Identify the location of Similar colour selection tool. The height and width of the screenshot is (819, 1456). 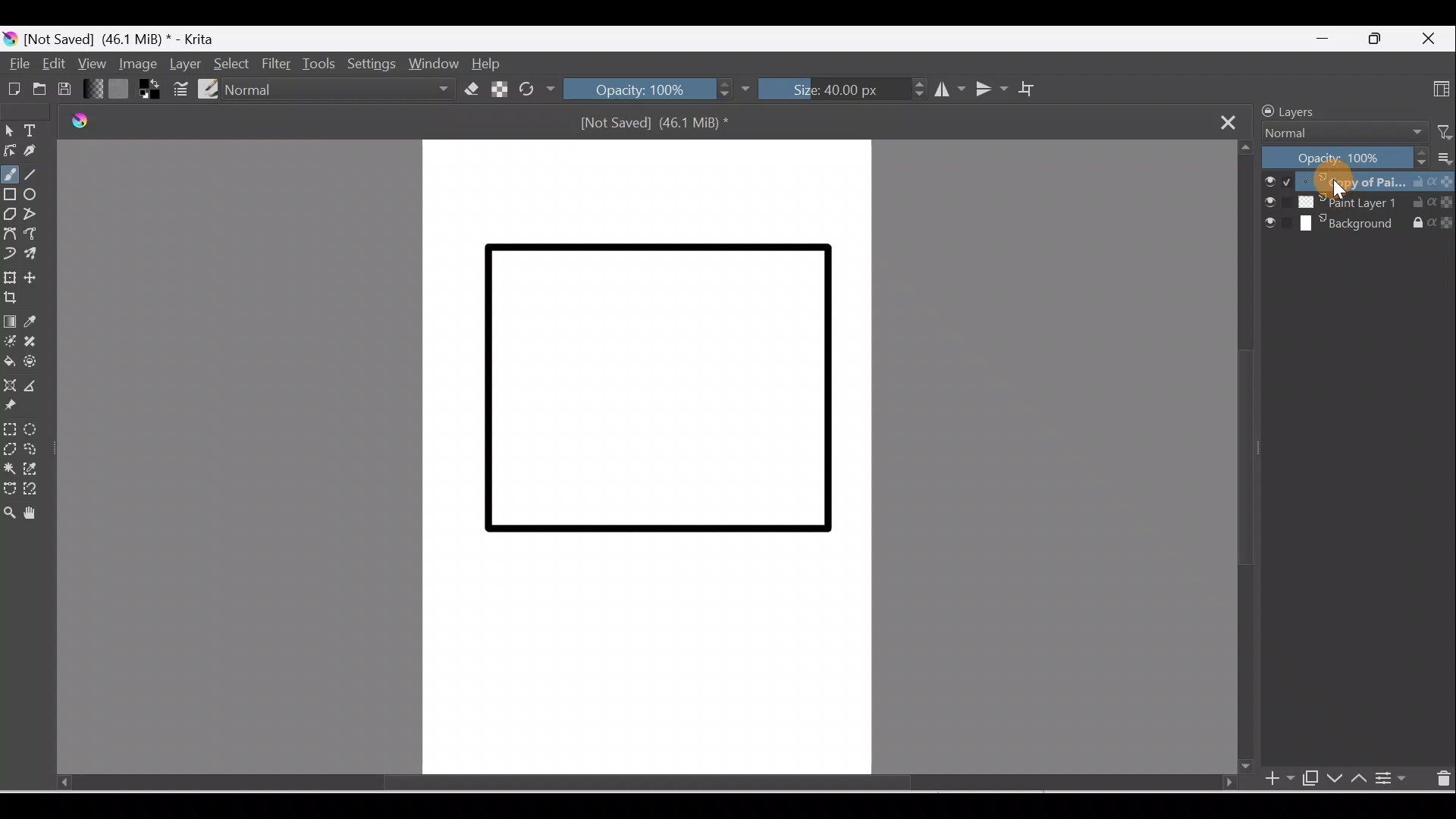
(35, 471).